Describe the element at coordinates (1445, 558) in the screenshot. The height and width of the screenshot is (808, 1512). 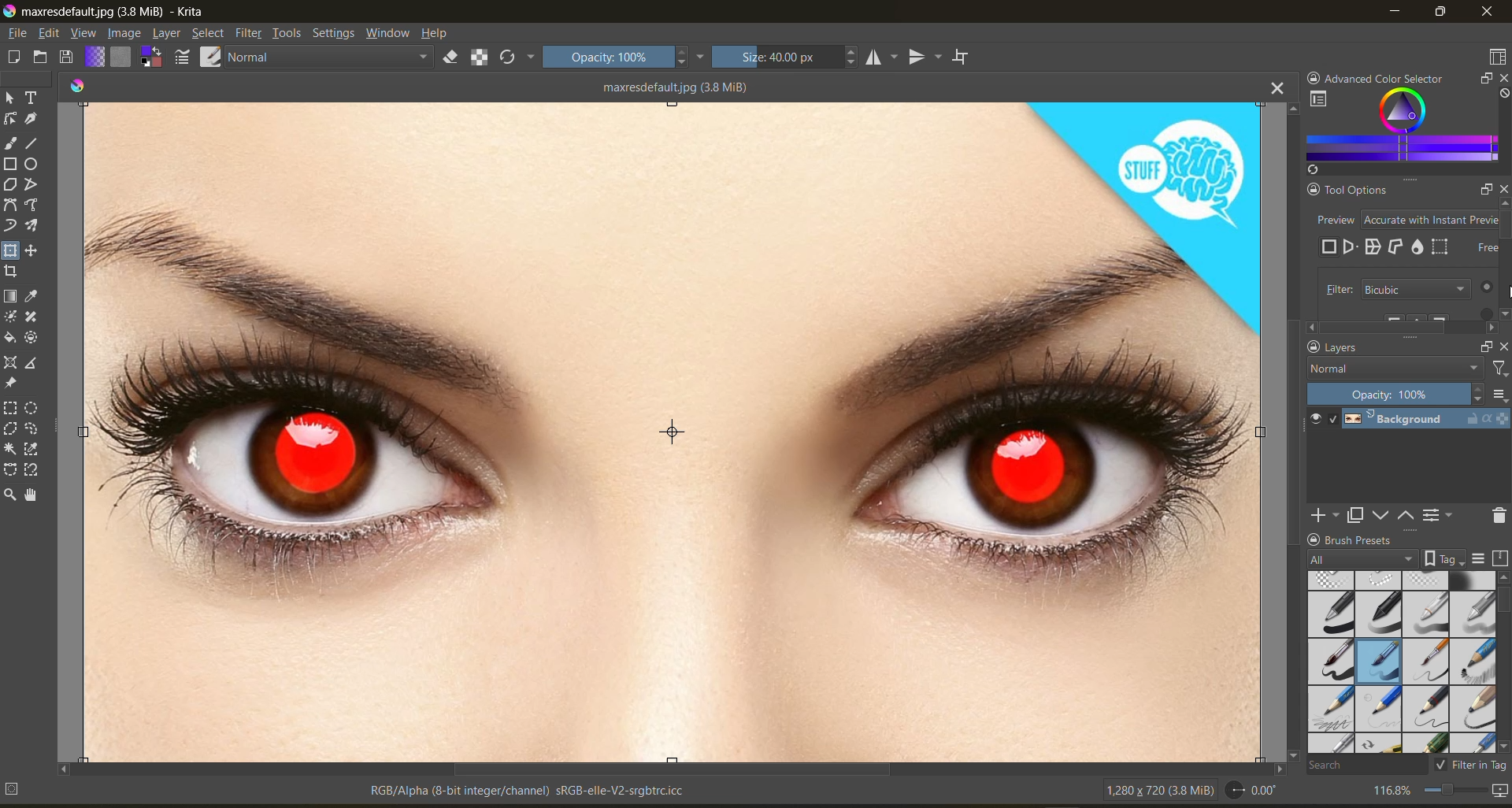
I see `show tag box` at that location.